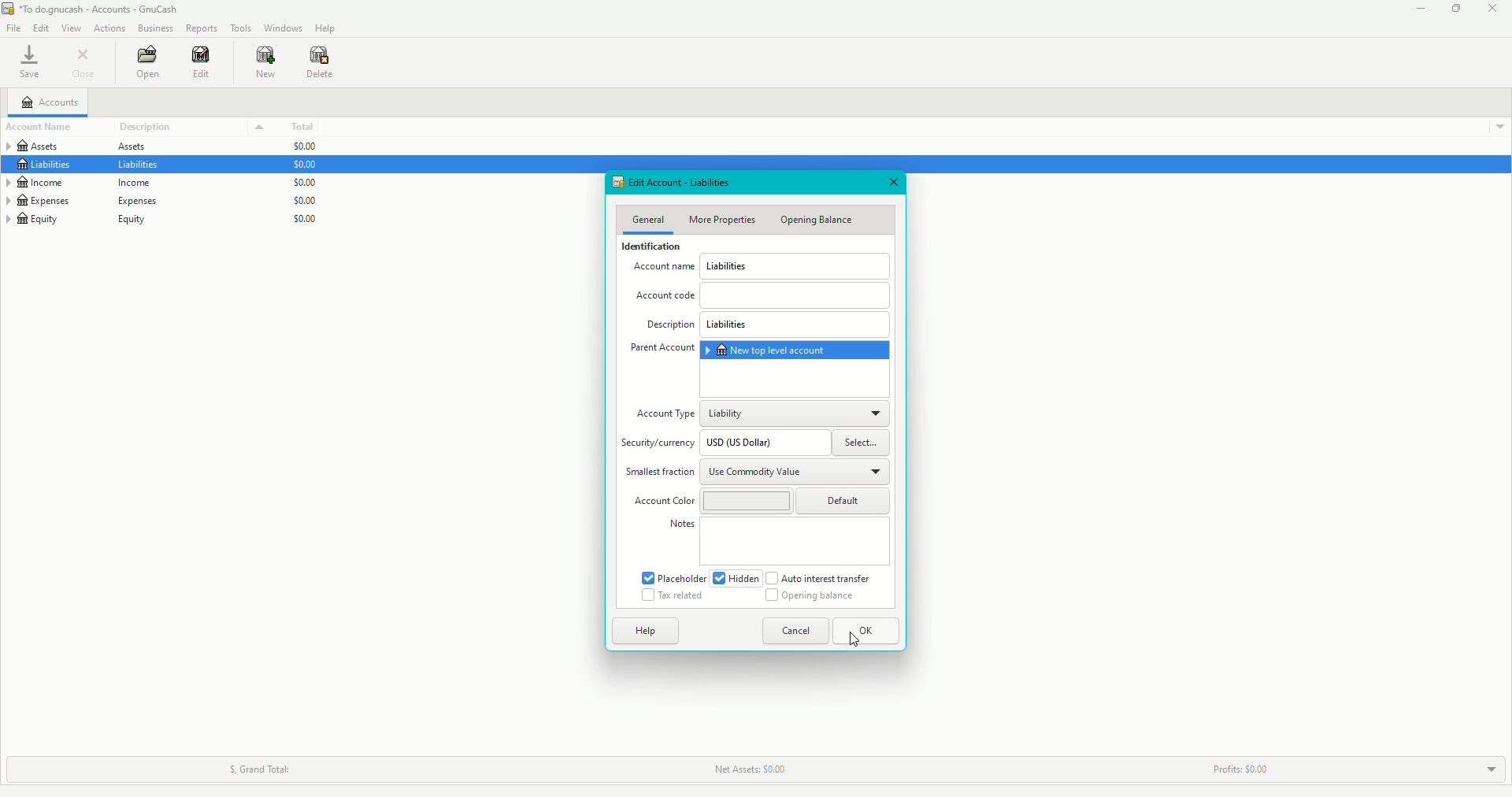  What do you see at coordinates (39, 27) in the screenshot?
I see `Edit` at bounding box center [39, 27].